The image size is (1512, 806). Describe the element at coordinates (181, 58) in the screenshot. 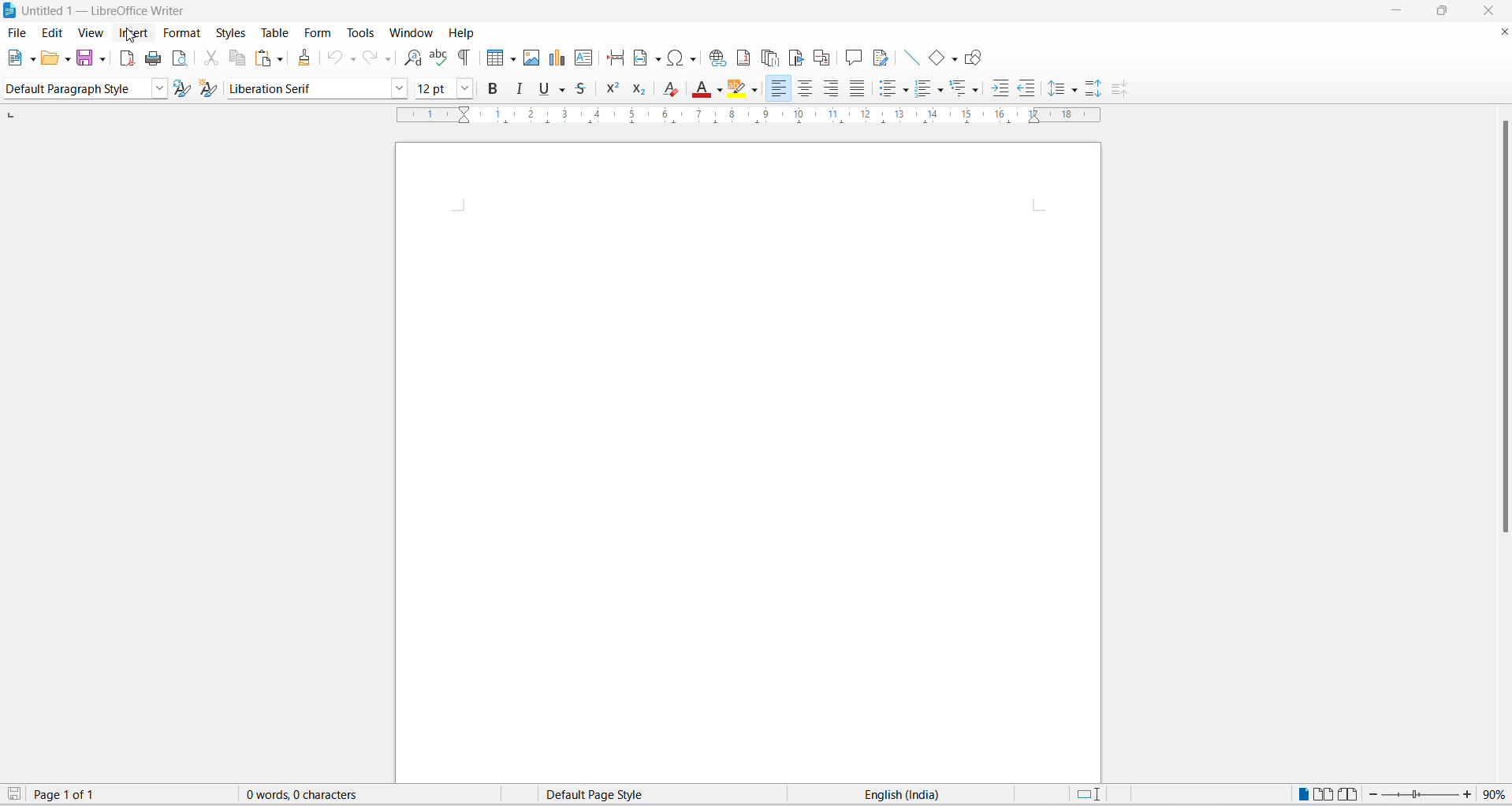

I see `print preview` at that location.